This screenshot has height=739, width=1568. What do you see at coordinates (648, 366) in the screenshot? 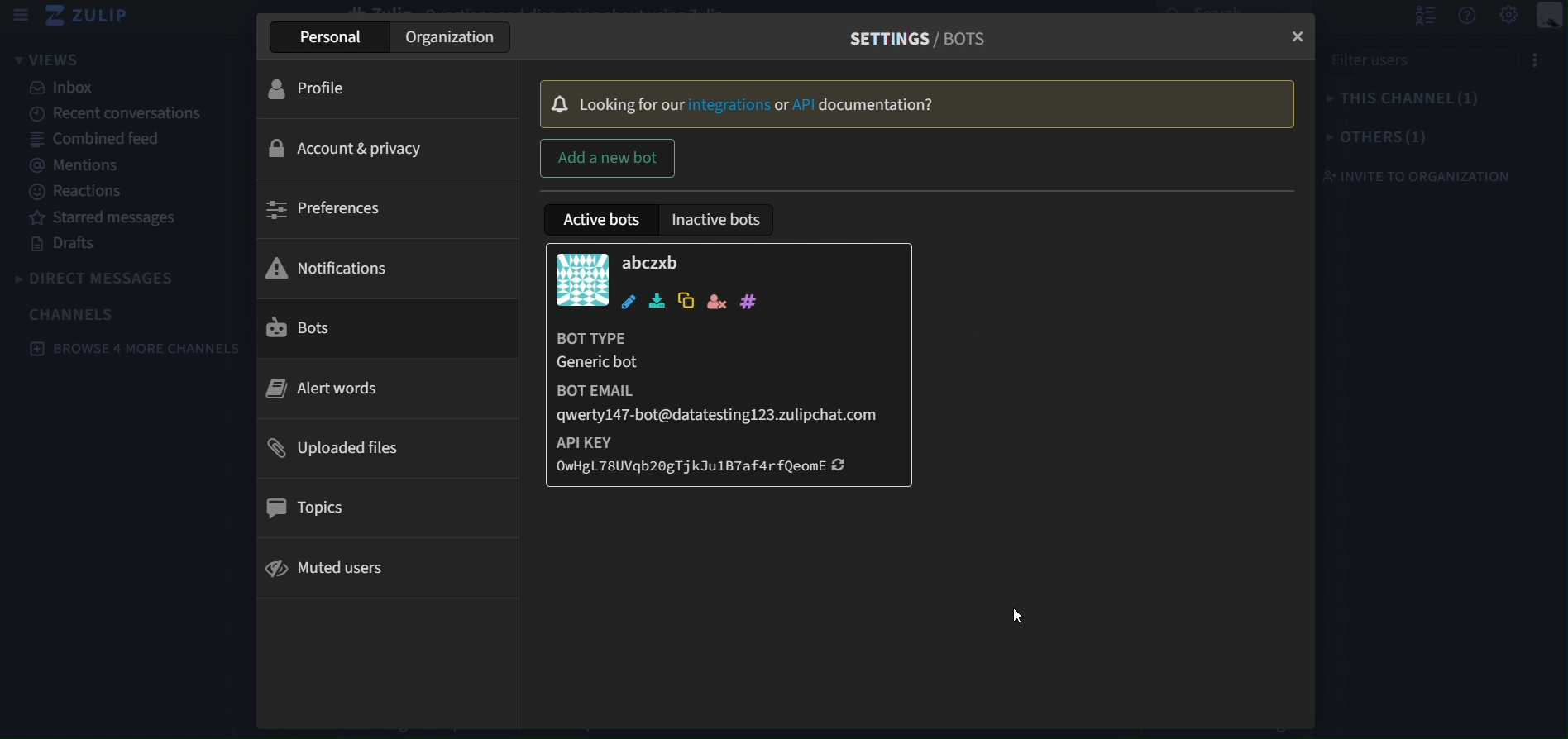
I see `Generic bot` at bounding box center [648, 366].